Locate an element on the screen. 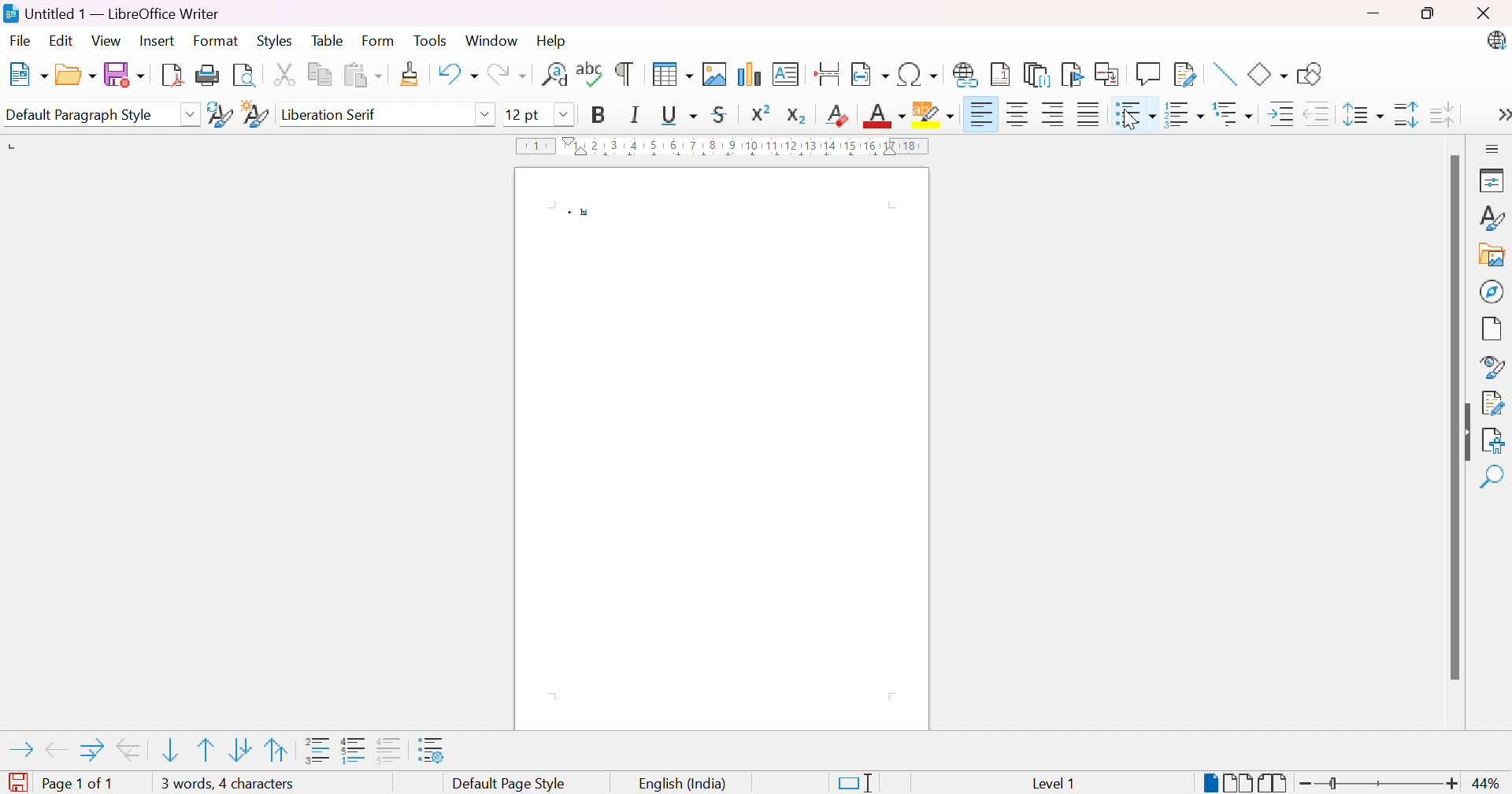 The width and height of the screenshot is (1512, 794). Move item down with subpoints is located at coordinates (239, 749).